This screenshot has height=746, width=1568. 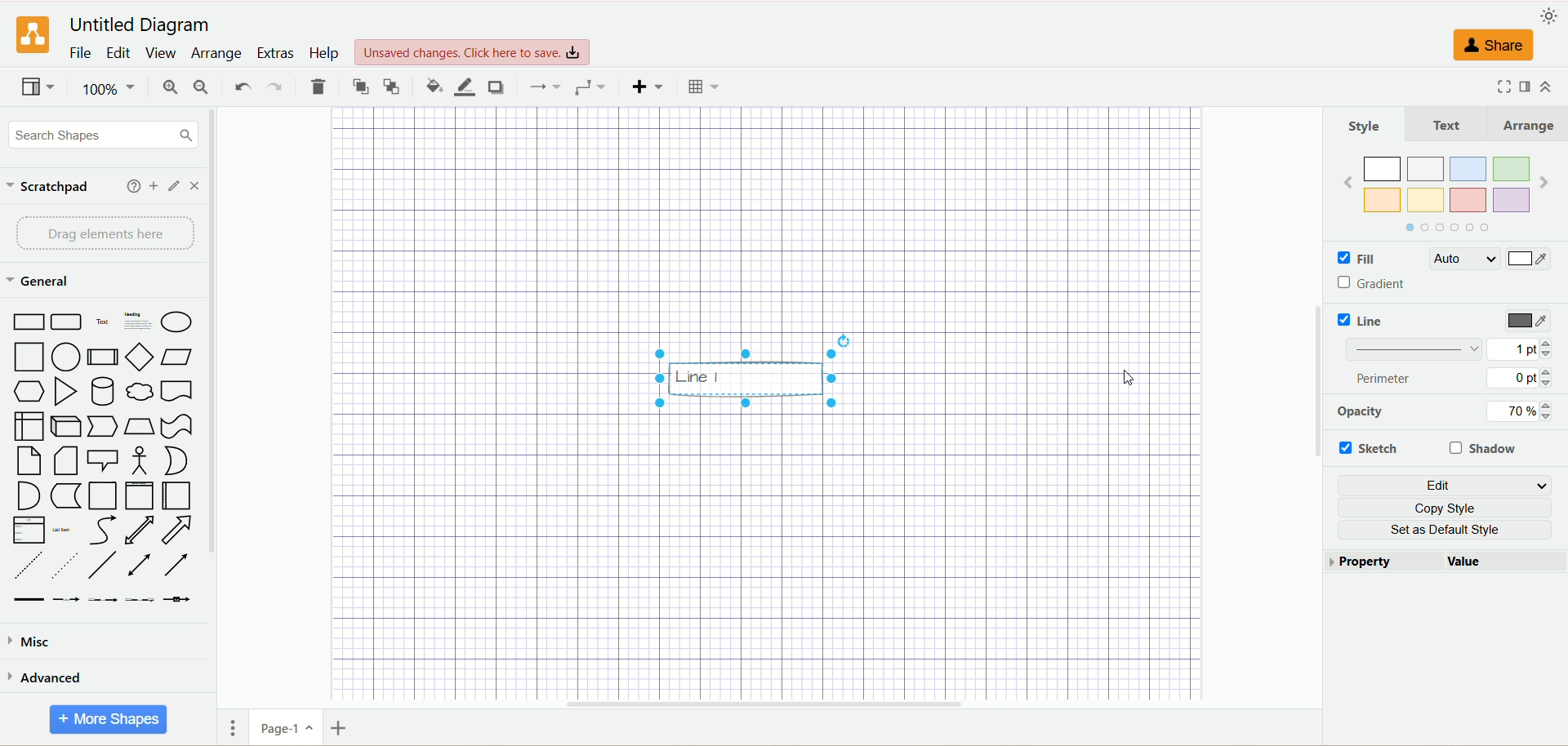 What do you see at coordinates (27, 358) in the screenshot?
I see `Square` at bounding box center [27, 358].